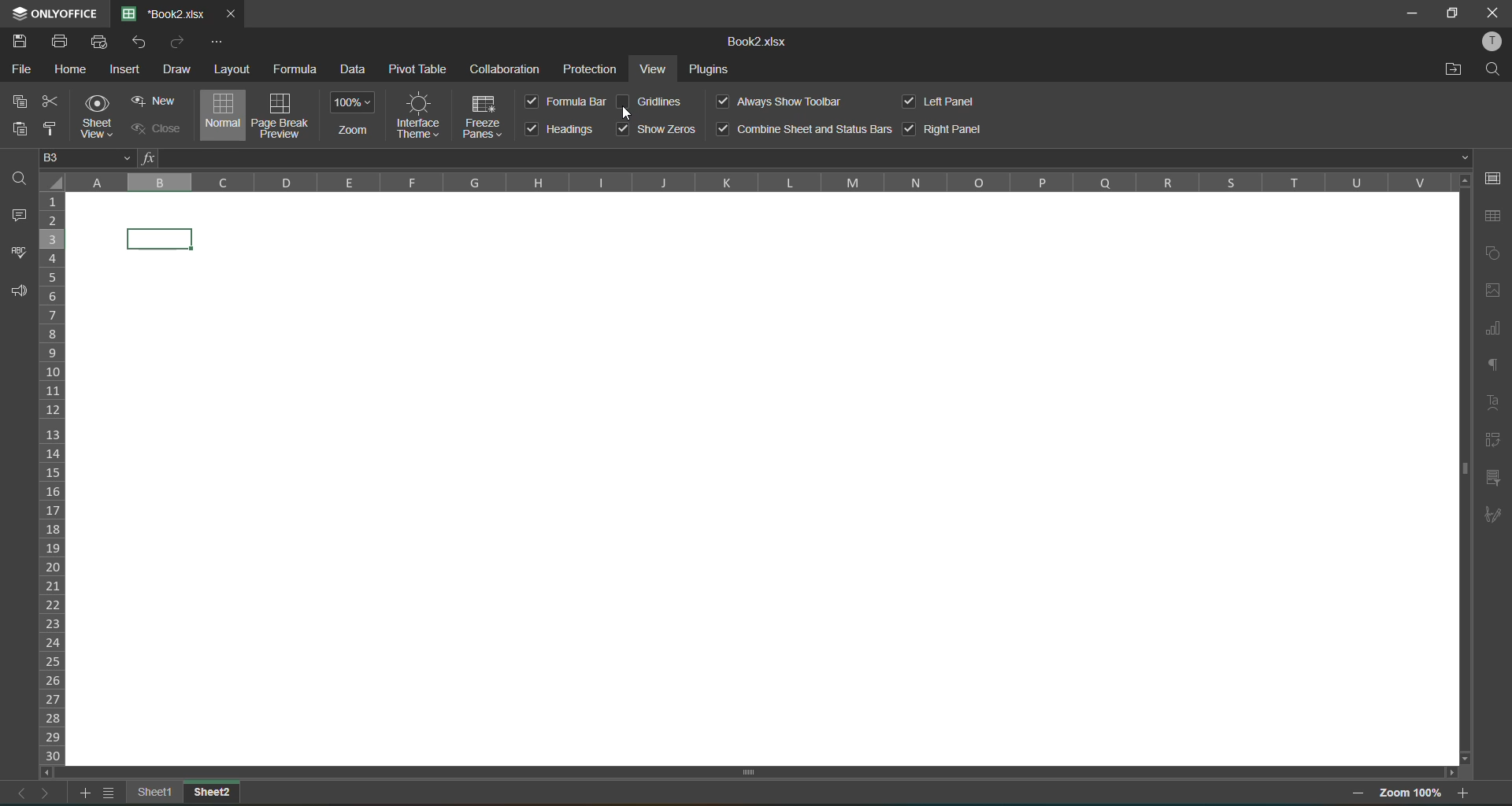  What do you see at coordinates (710, 70) in the screenshot?
I see `plugins` at bounding box center [710, 70].